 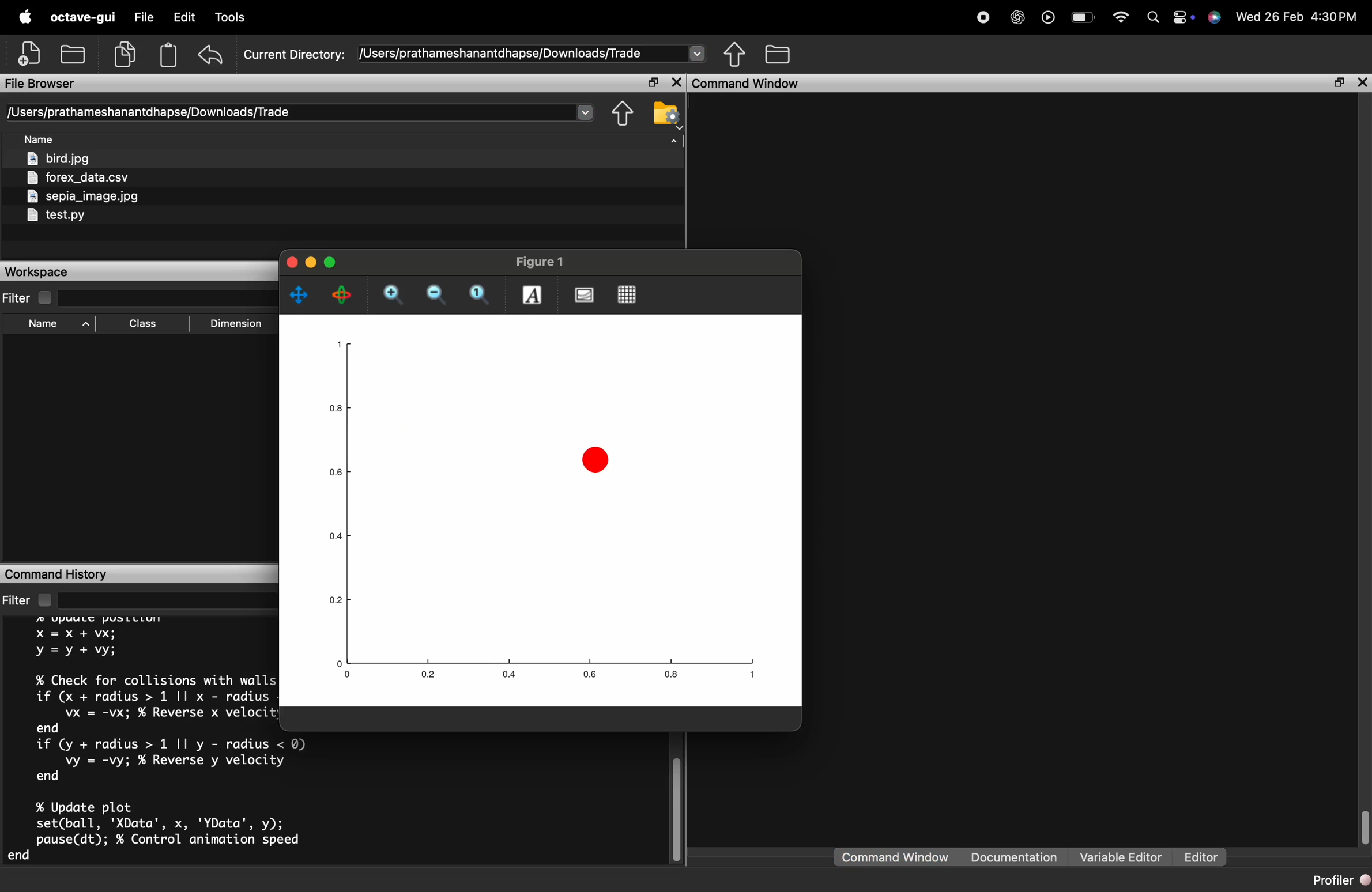 What do you see at coordinates (895, 857) in the screenshot?
I see `Command Window` at bounding box center [895, 857].